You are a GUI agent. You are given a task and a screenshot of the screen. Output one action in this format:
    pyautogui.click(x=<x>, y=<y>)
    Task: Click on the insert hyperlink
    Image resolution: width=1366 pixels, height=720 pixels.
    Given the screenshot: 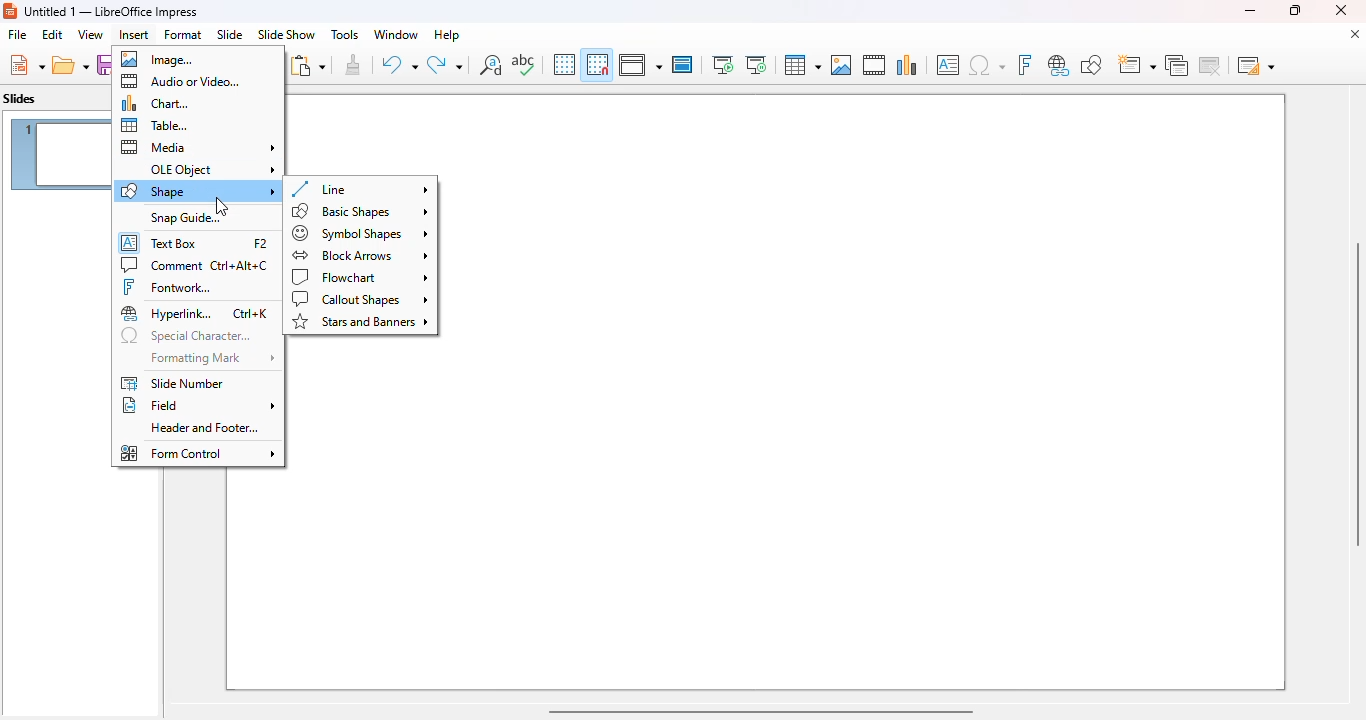 What is the action you would take?
    pyautogui.click(x=1059, y=65)
    